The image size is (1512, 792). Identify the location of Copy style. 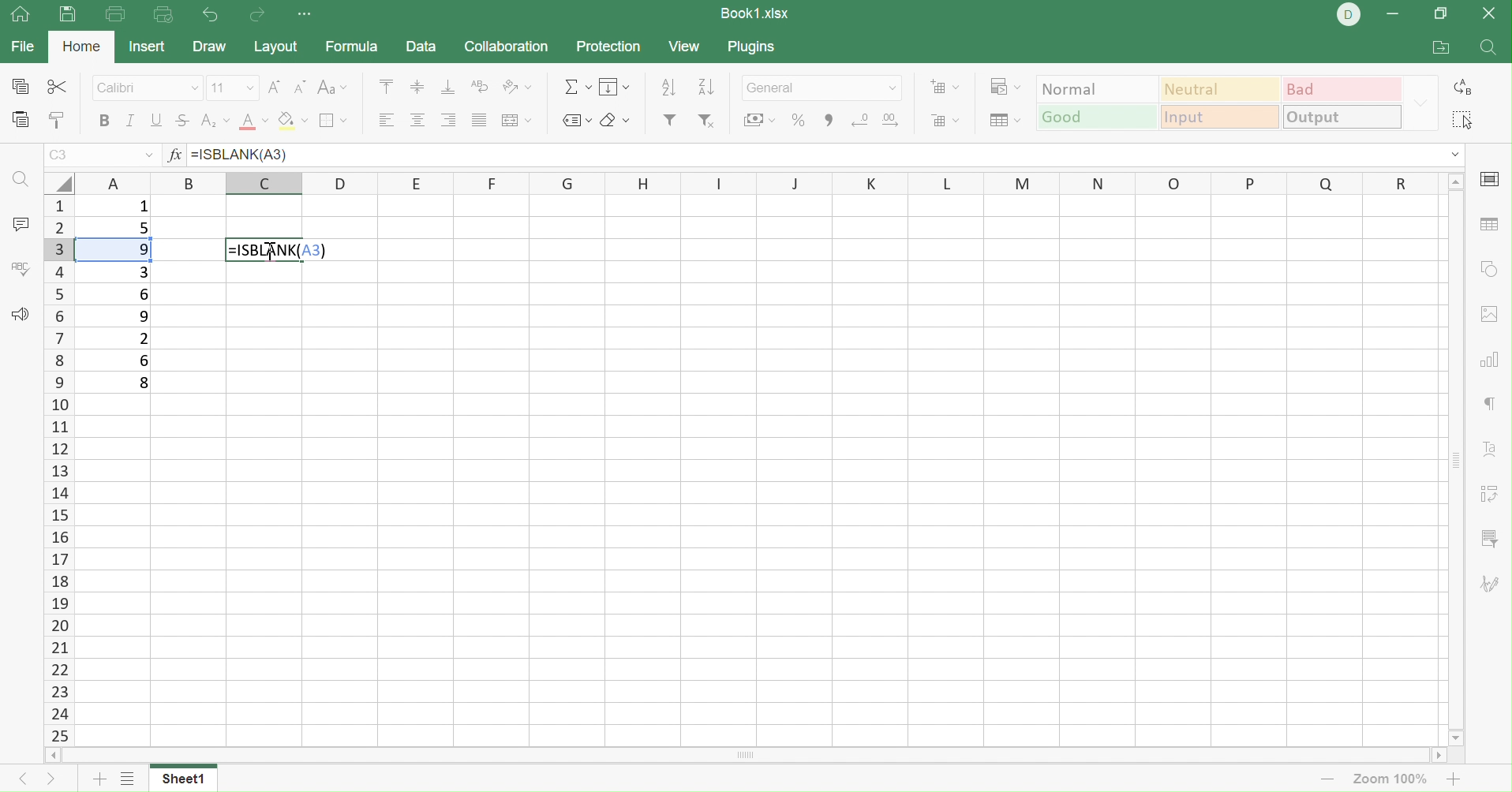
(55, 121).